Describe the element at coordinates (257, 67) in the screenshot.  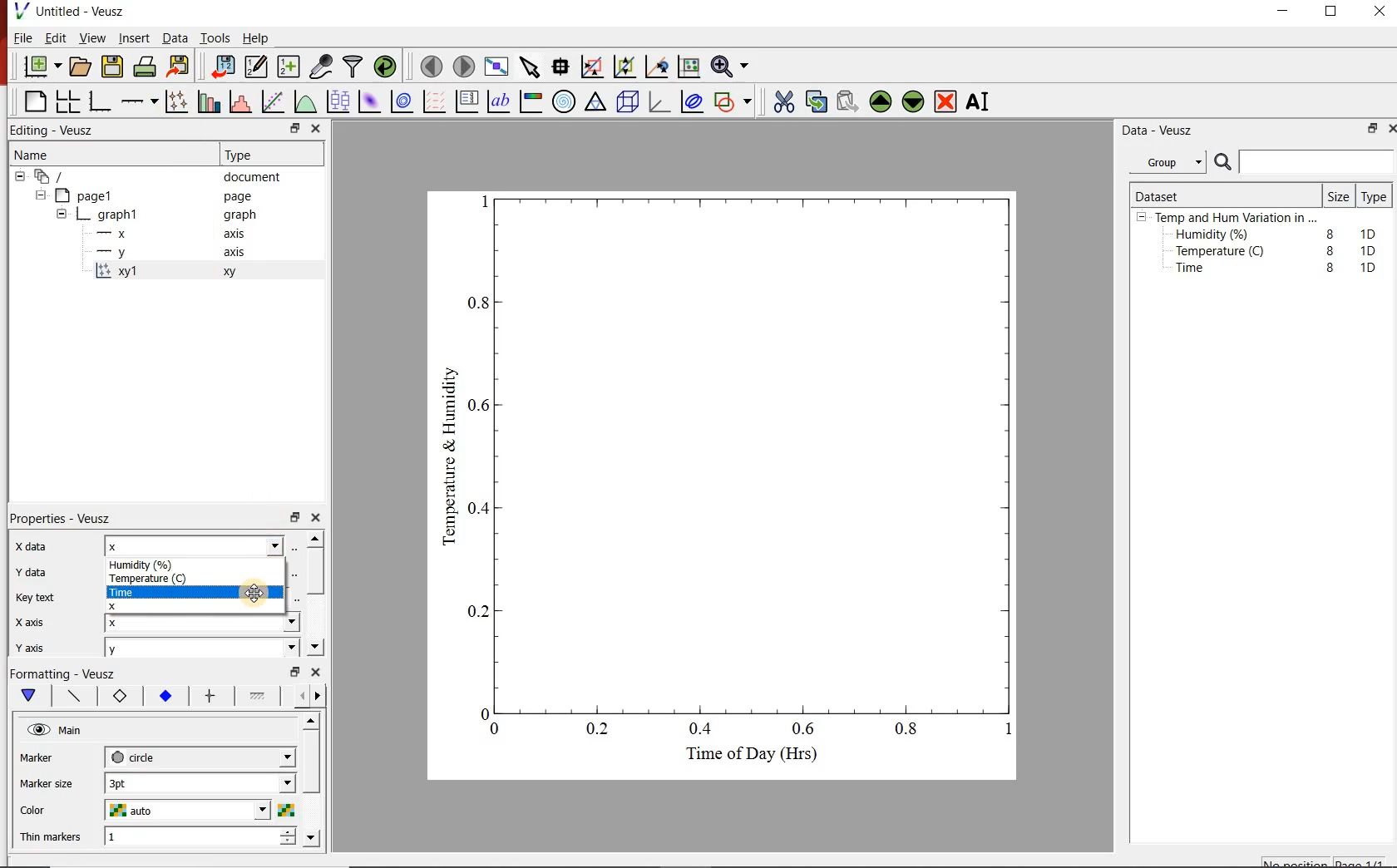
I see `Edit and enter new datasets` at that location.